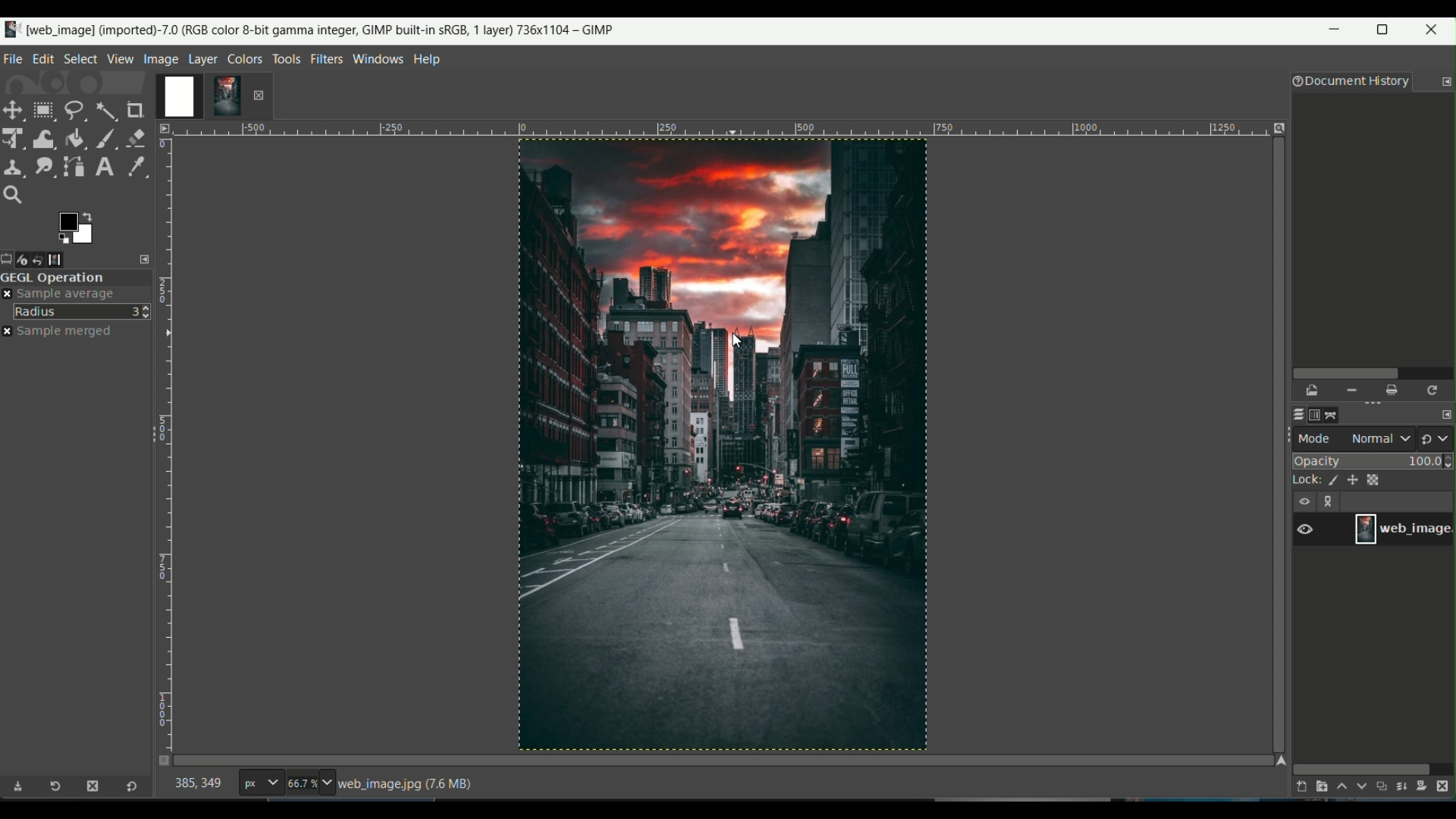 This screenshot has height=819, width=1456. What do you see at coordinates (14, 166) in the screenshot?
I see `clone tool` at bounding box center [14, 166].